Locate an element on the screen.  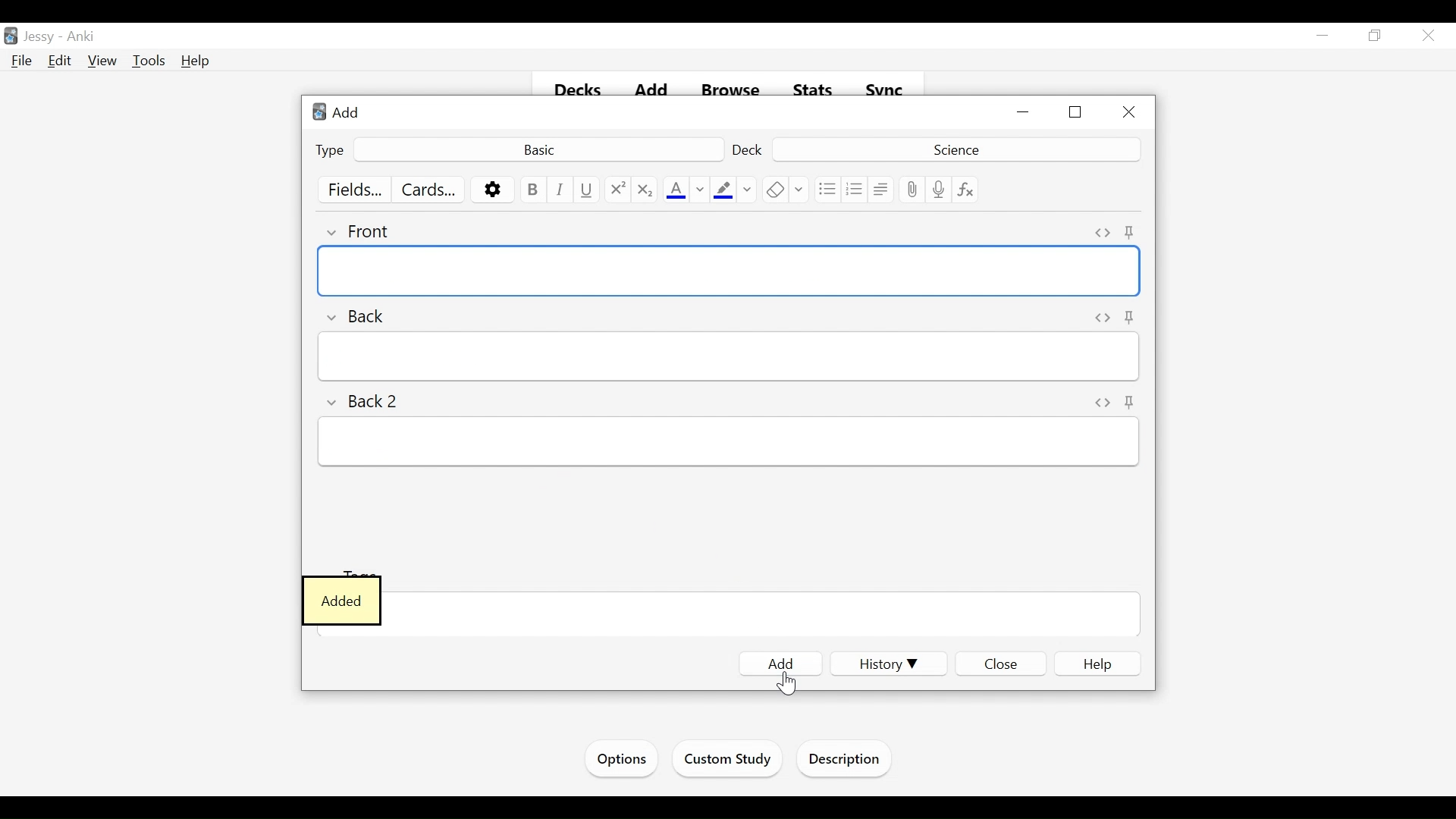
Back Field is located at coordinates (727, 356).